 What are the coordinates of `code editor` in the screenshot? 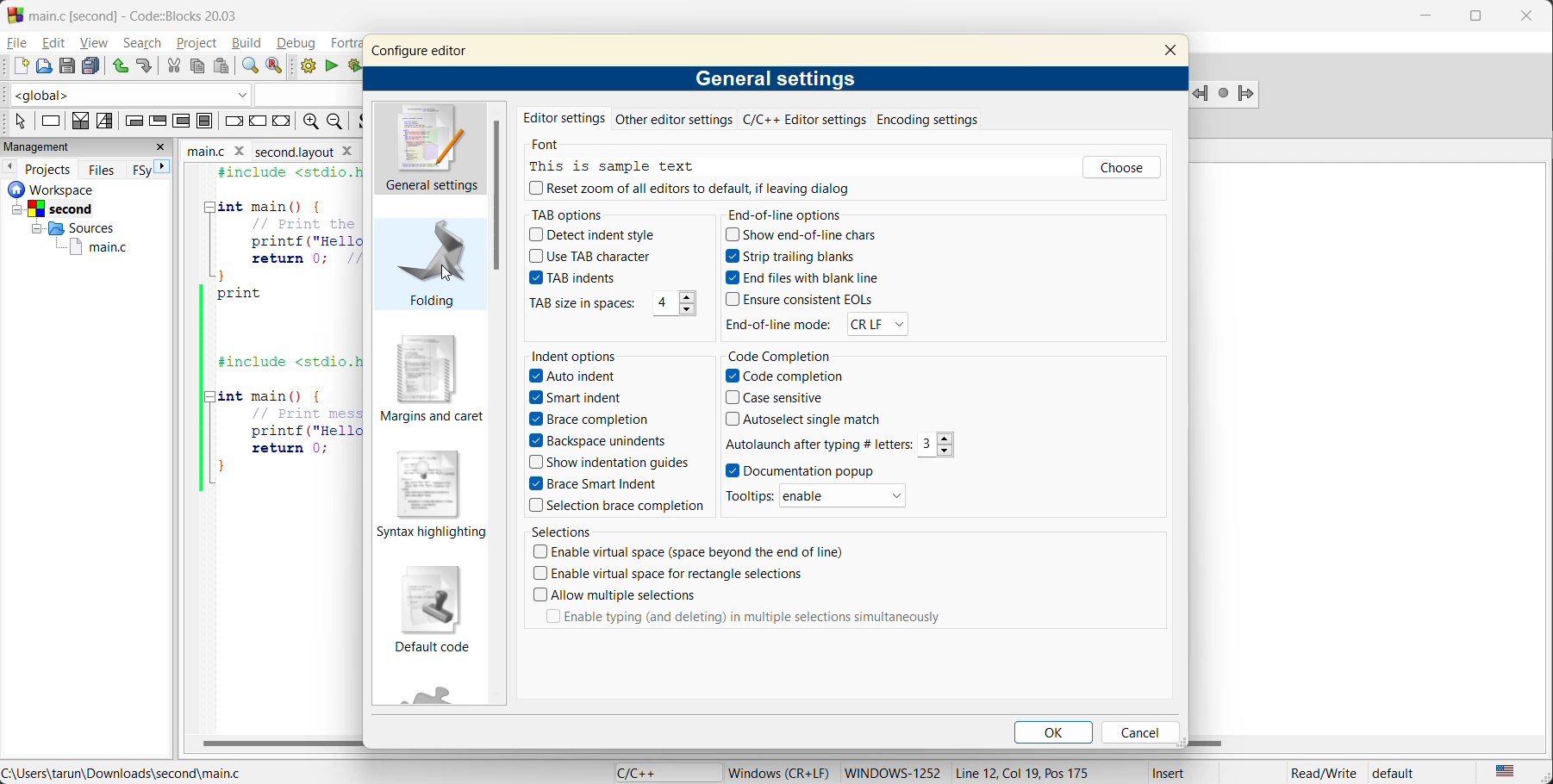 It's located at (277, 330).